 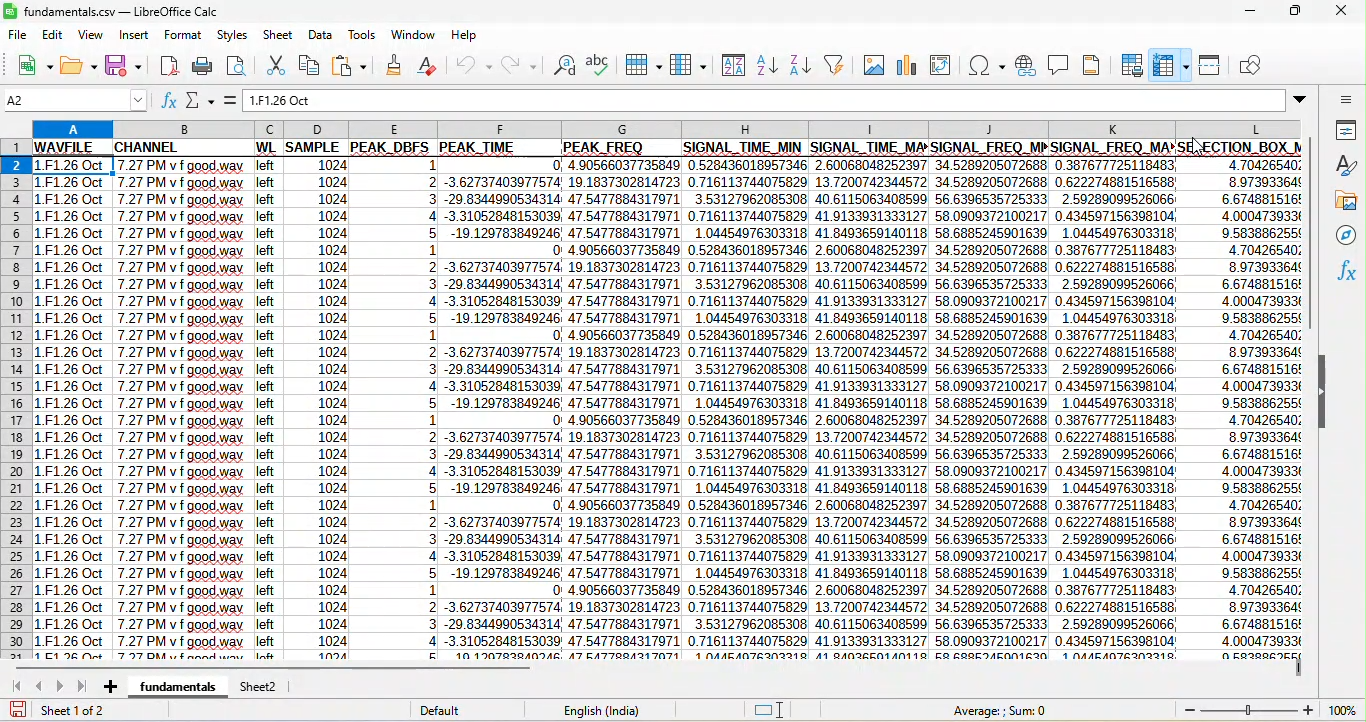 What do you see at coordinates (106, 684) in the screenshot?
I see `add sheet` at bounding box center [106, 684].